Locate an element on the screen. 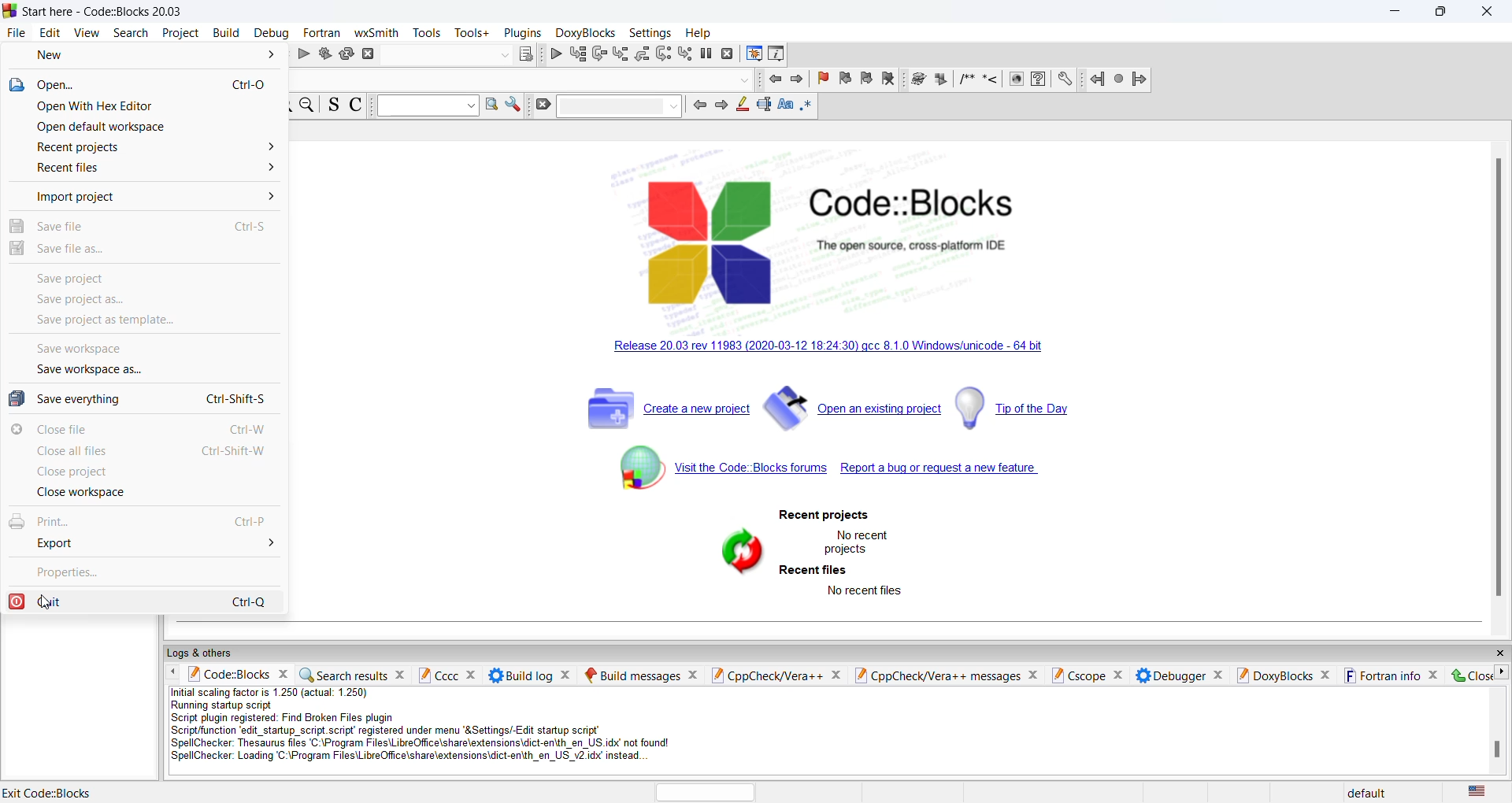 This screenshot has height=803, width=1512. icon is located at coordinates (919, 80).